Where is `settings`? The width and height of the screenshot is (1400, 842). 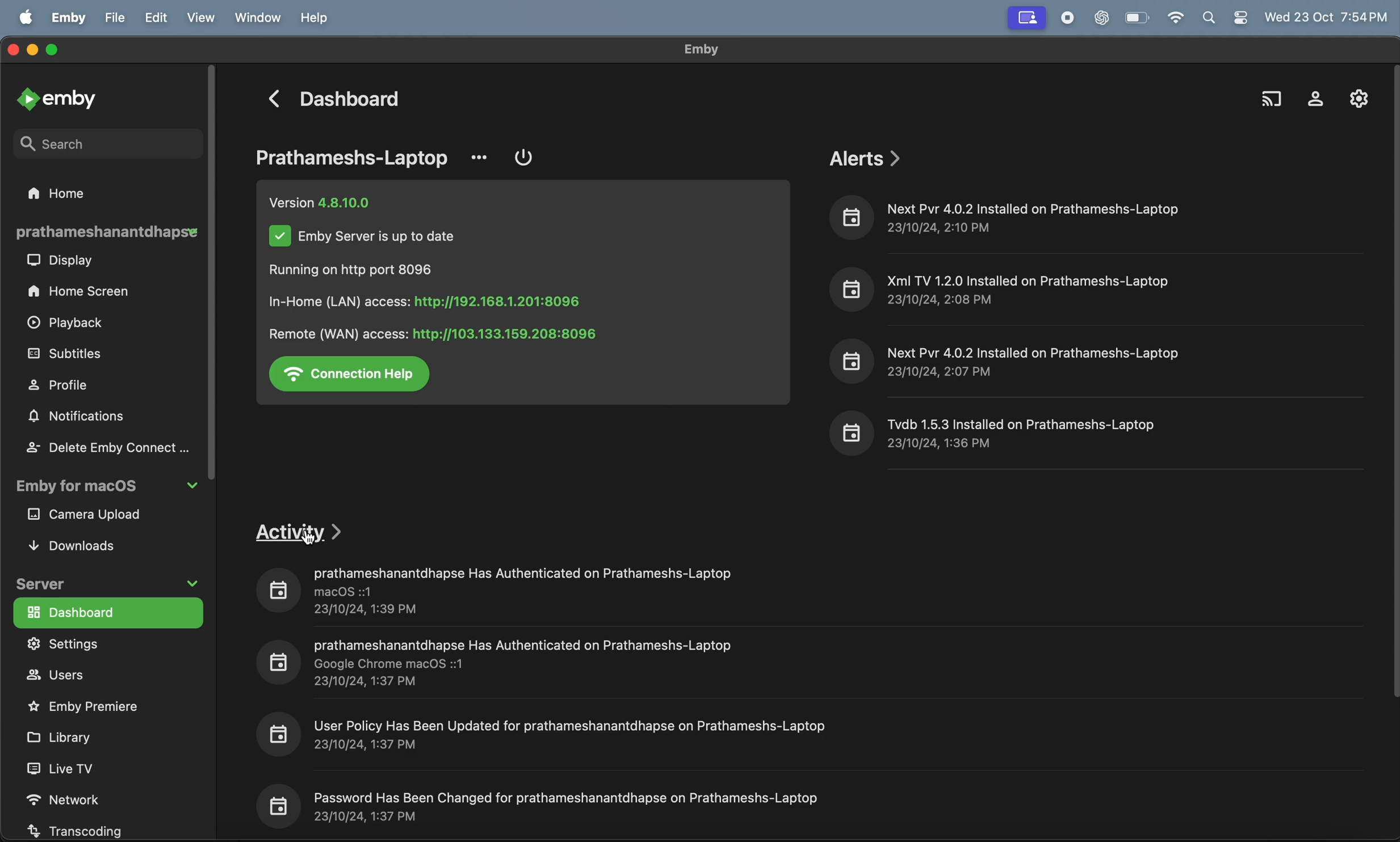
settings is located at coordinates (102, 644).